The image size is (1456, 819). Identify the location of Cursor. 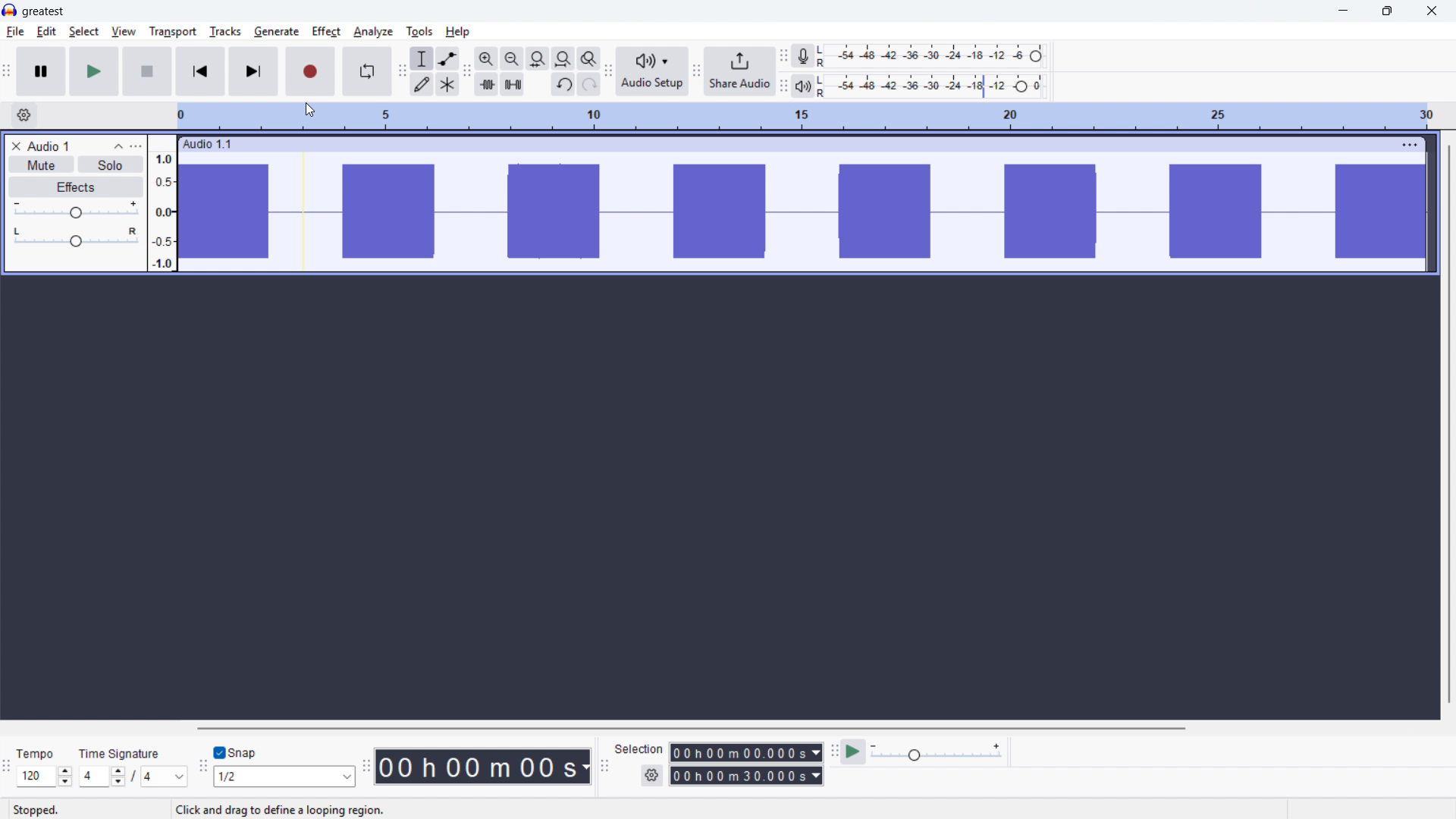
(312, 111).